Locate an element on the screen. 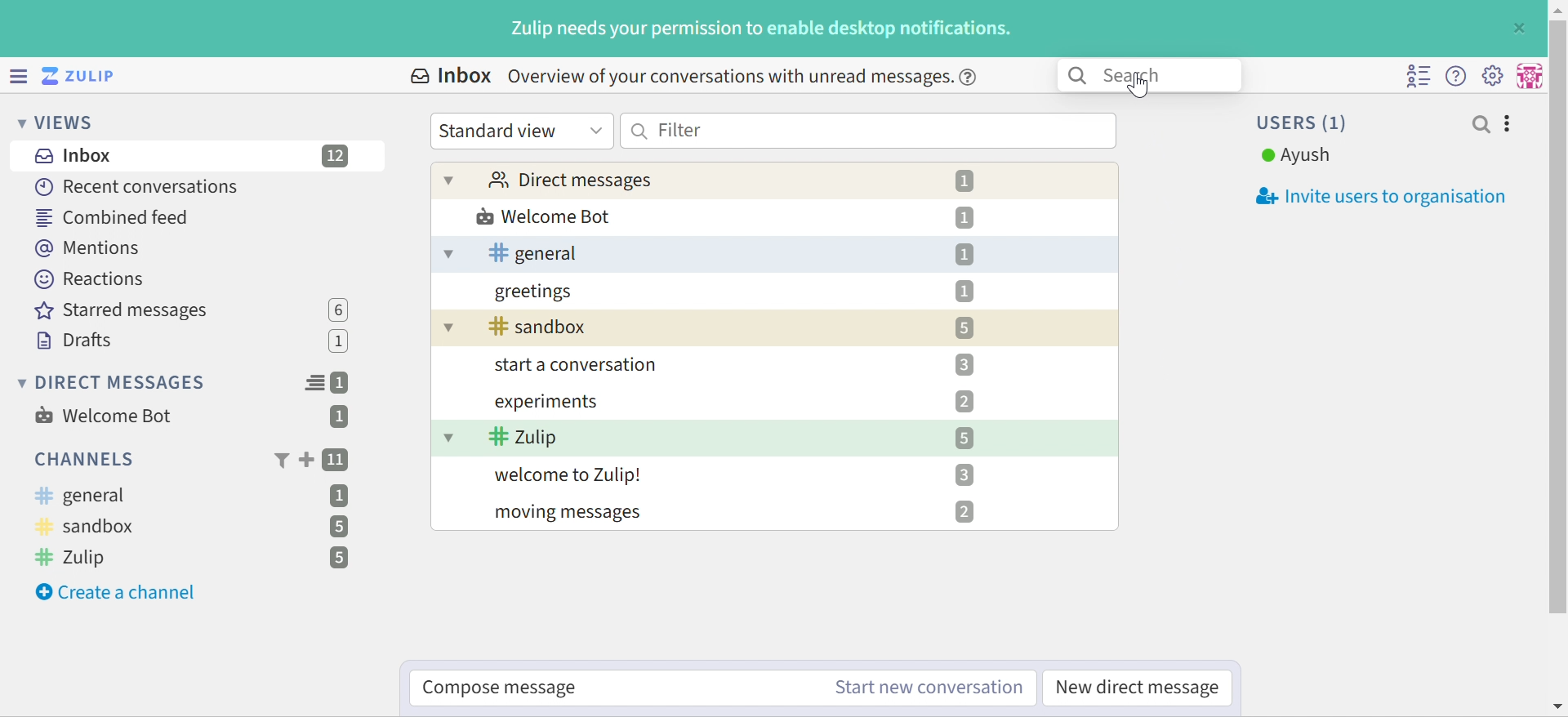 This screenshot has height=717, width=1568. Direct messages is located at coordinates (572, 179).